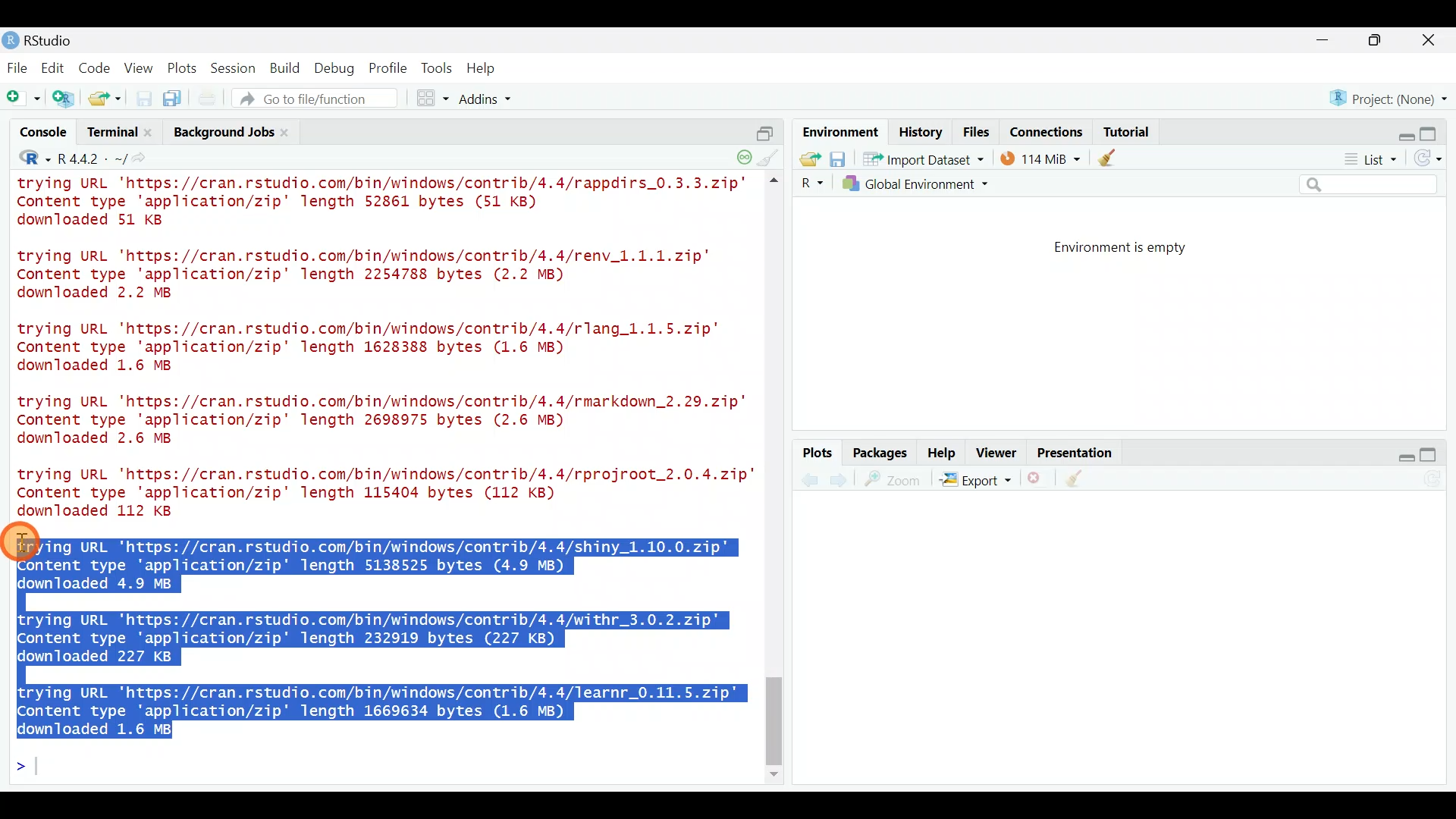  Describe the element at coordinates (483, 68) in the screenshot. I see `Help` at that location.